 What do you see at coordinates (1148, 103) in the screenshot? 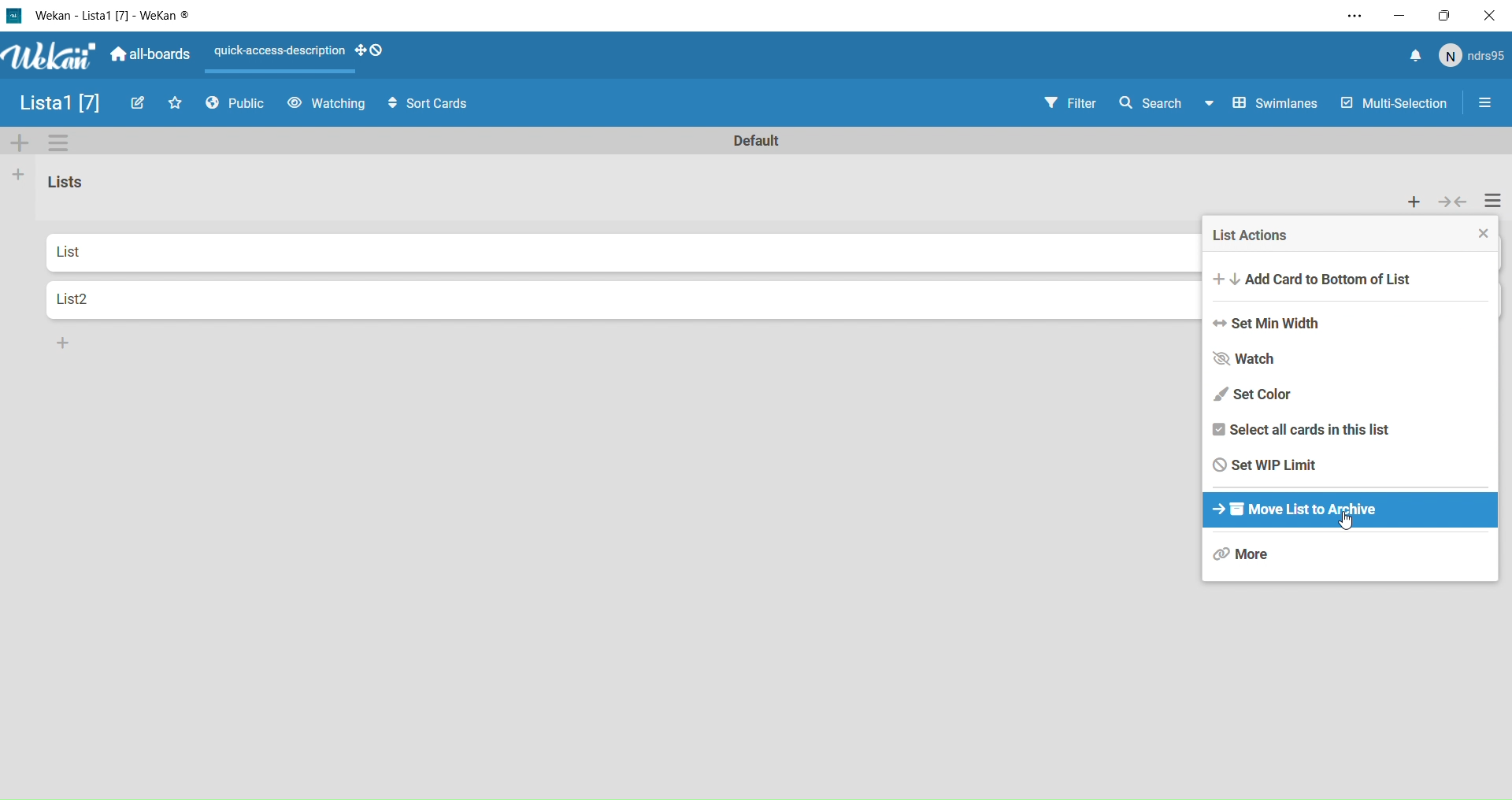
I see `Search` at bounding box center [1148, 103].